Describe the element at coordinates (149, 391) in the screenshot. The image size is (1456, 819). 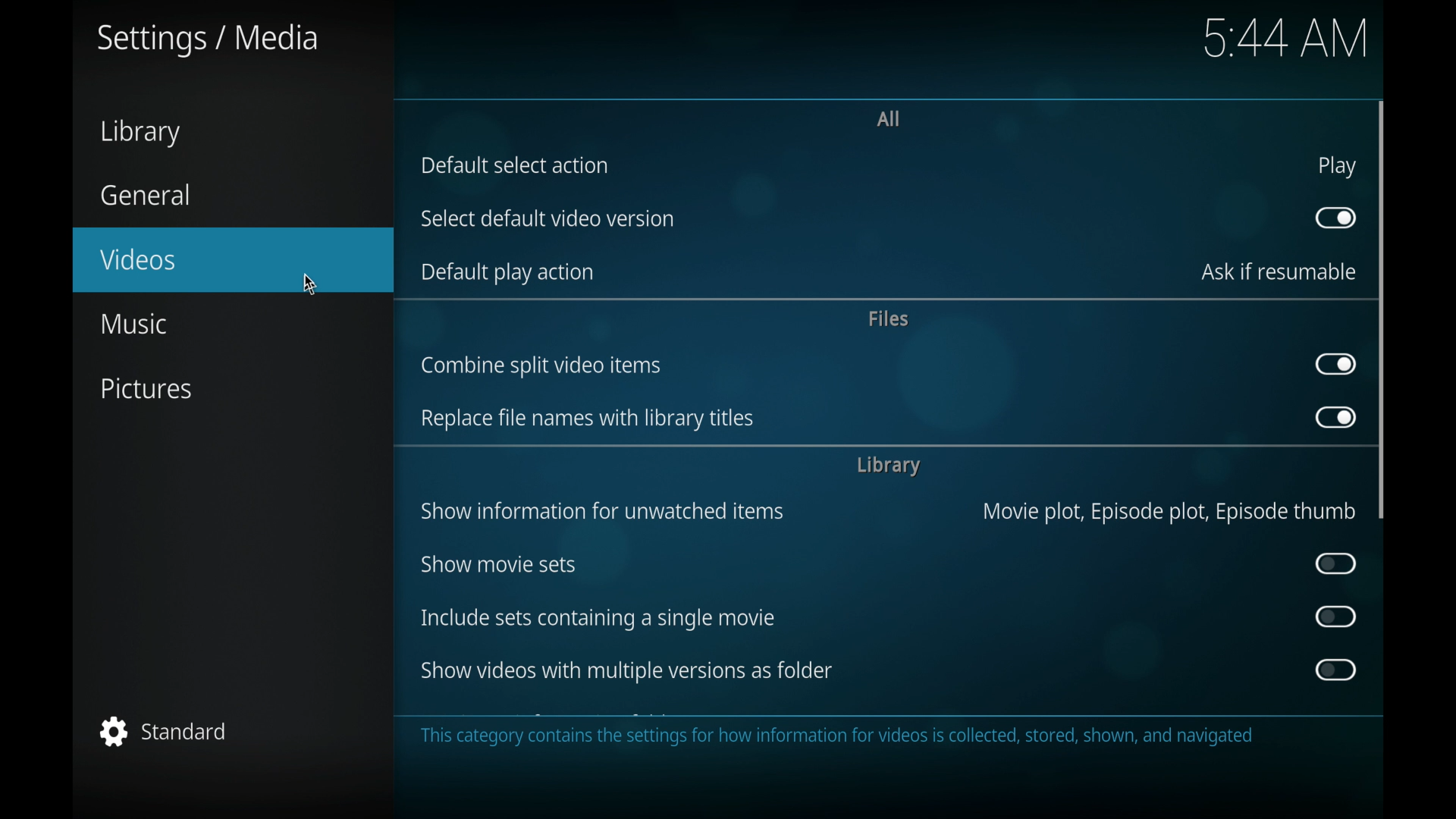
I see `pictures` at that location.